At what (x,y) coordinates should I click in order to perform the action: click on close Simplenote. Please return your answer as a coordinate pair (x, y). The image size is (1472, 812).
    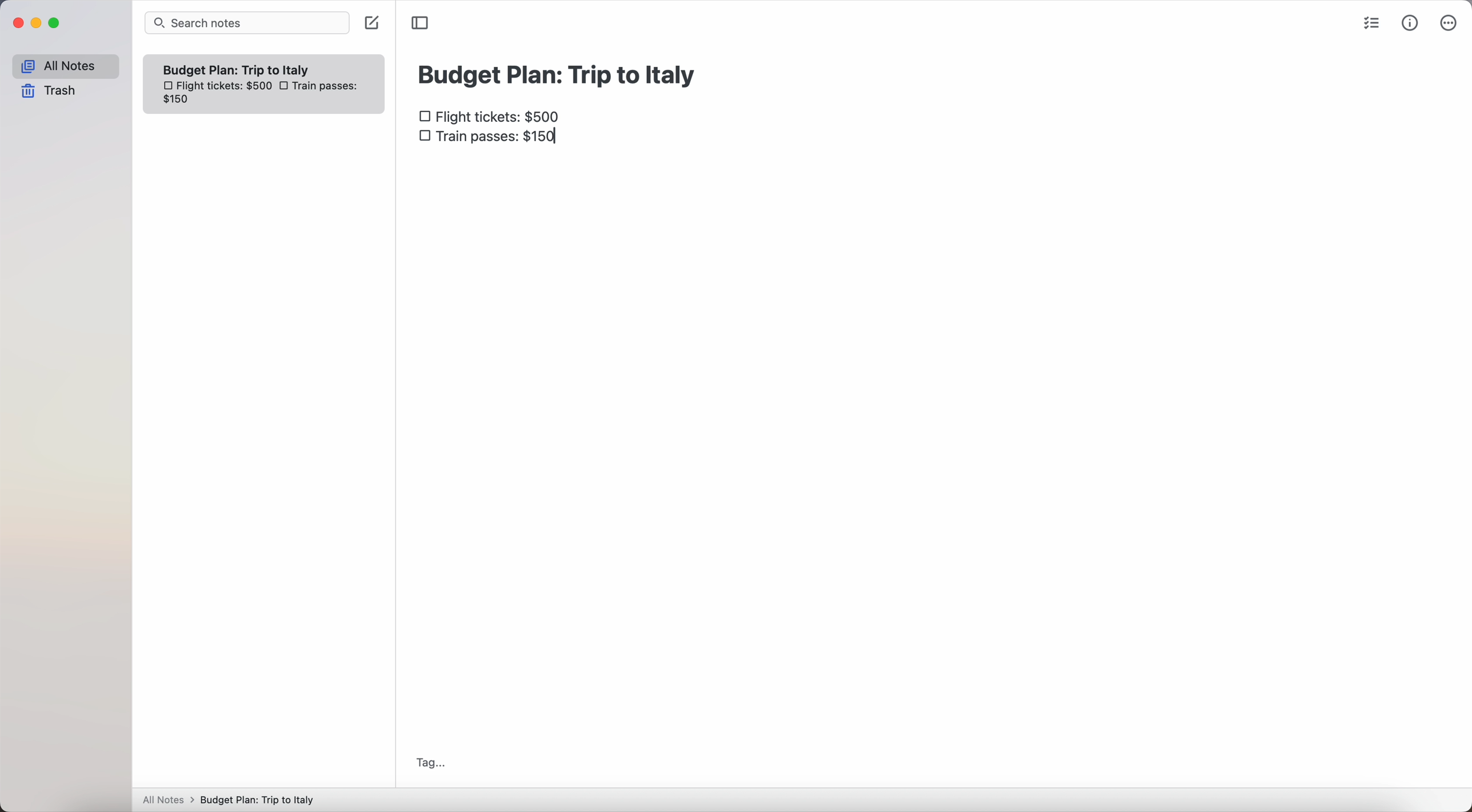
    Looking at the image, I should click on (18, 23).